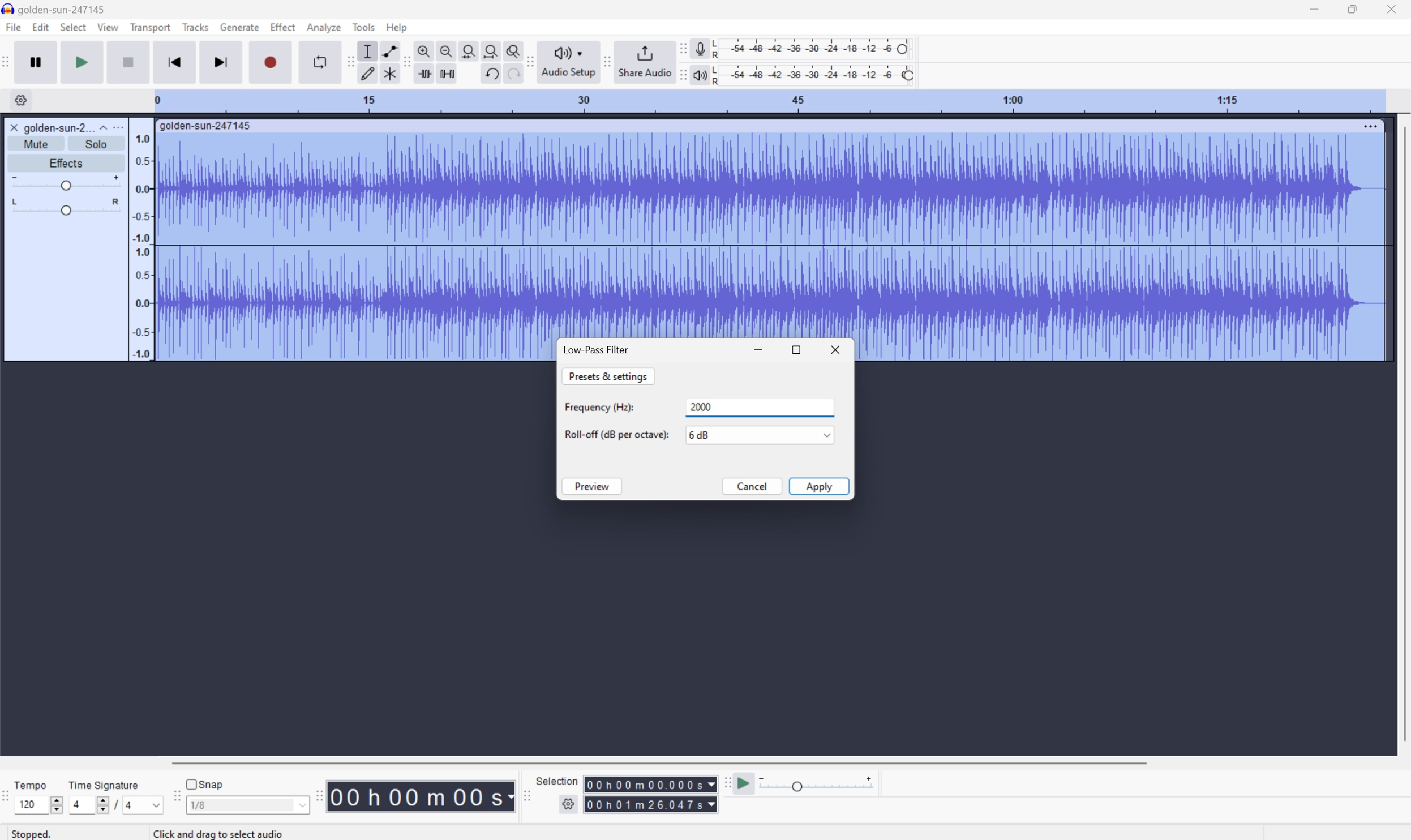 The image size is (1411, 840). What do you see at coordinates (837, 348) in the screenshot?
I see `Close` at bounding box center [837, 348].